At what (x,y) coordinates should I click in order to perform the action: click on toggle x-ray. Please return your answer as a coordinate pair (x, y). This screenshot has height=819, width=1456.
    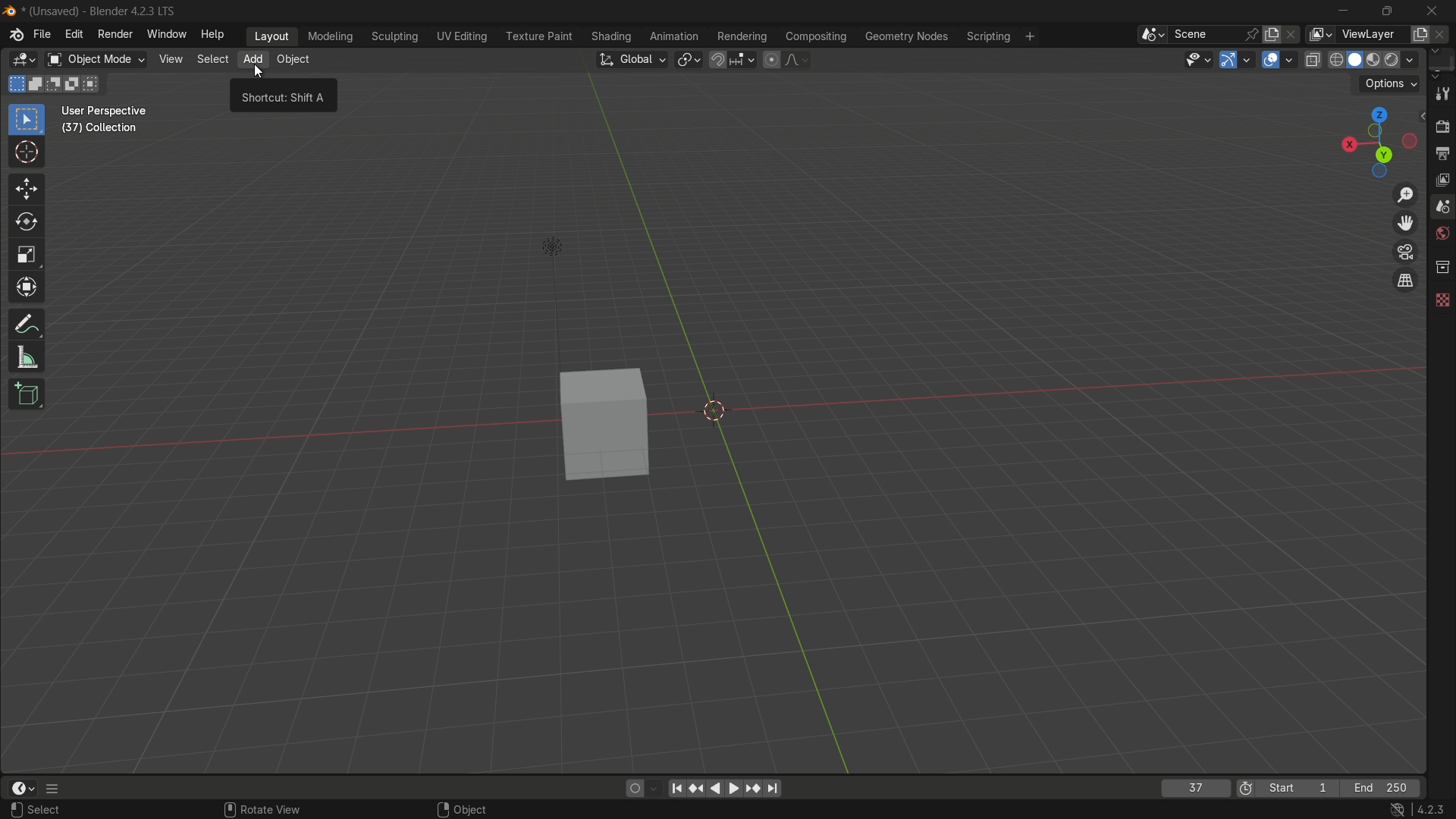
    Looking at the image, I should click on (1314, 60).